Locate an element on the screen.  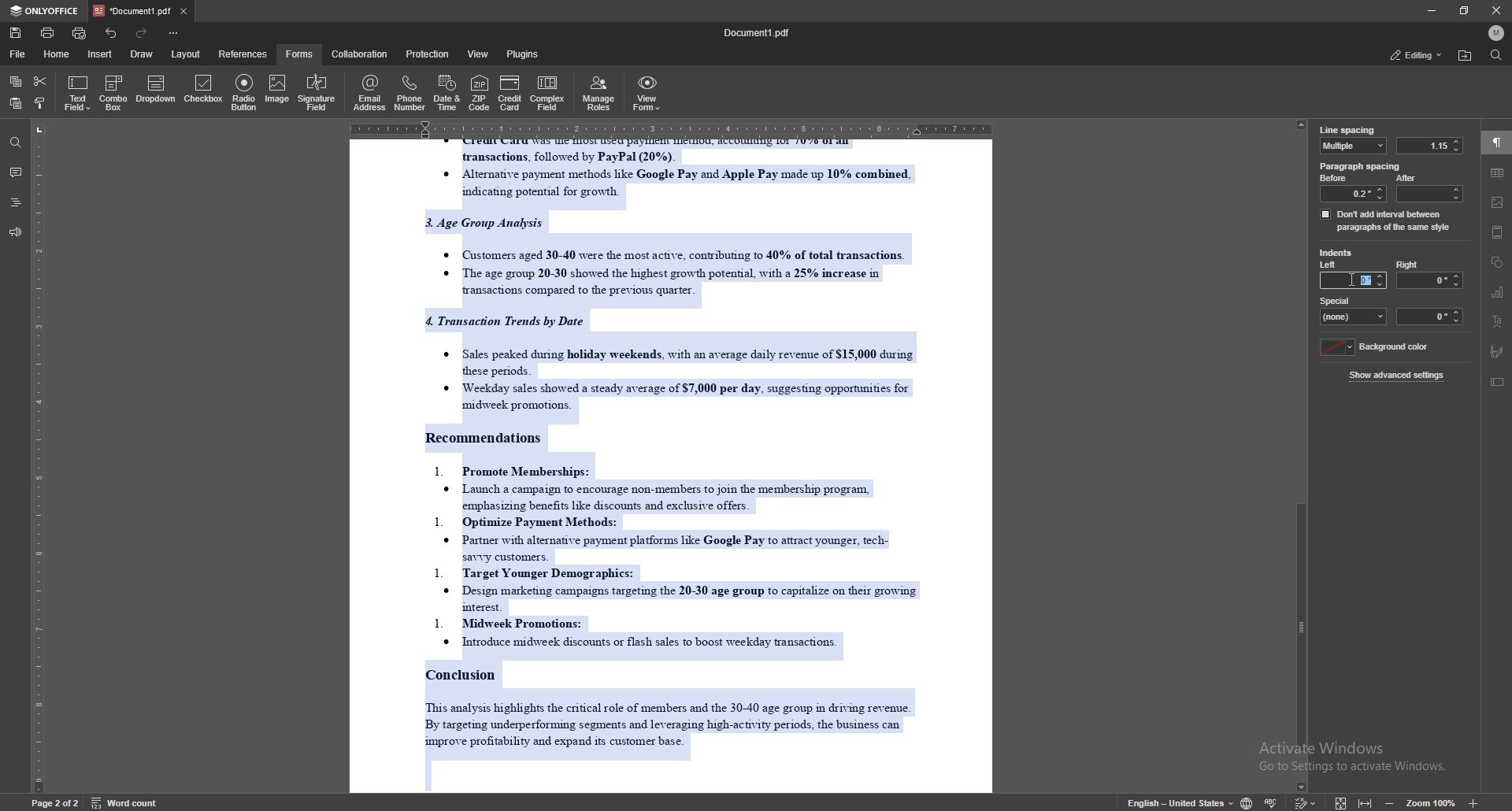
zip code is located at coordinates (479, 92).